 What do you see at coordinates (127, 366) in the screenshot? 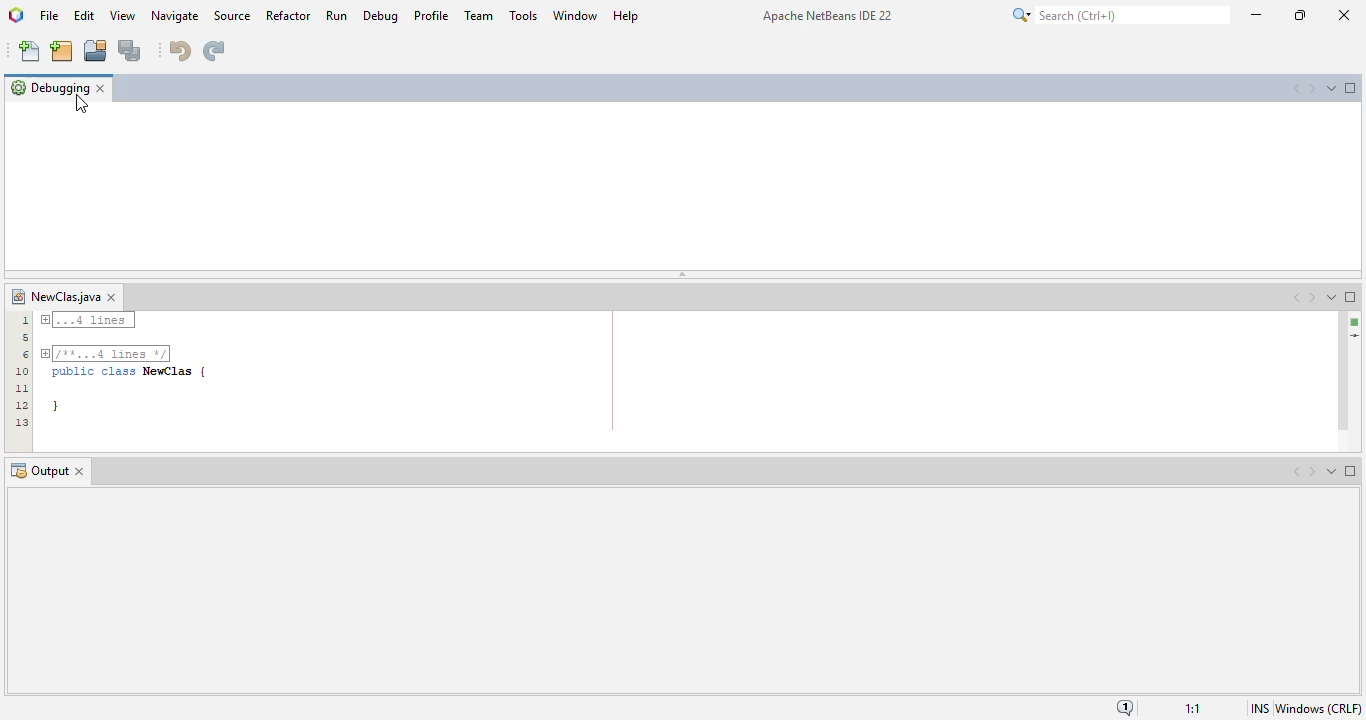
I see `--.4 Lines |
TTT]
public class NewClas |
}` at bounding box center [127, 366].